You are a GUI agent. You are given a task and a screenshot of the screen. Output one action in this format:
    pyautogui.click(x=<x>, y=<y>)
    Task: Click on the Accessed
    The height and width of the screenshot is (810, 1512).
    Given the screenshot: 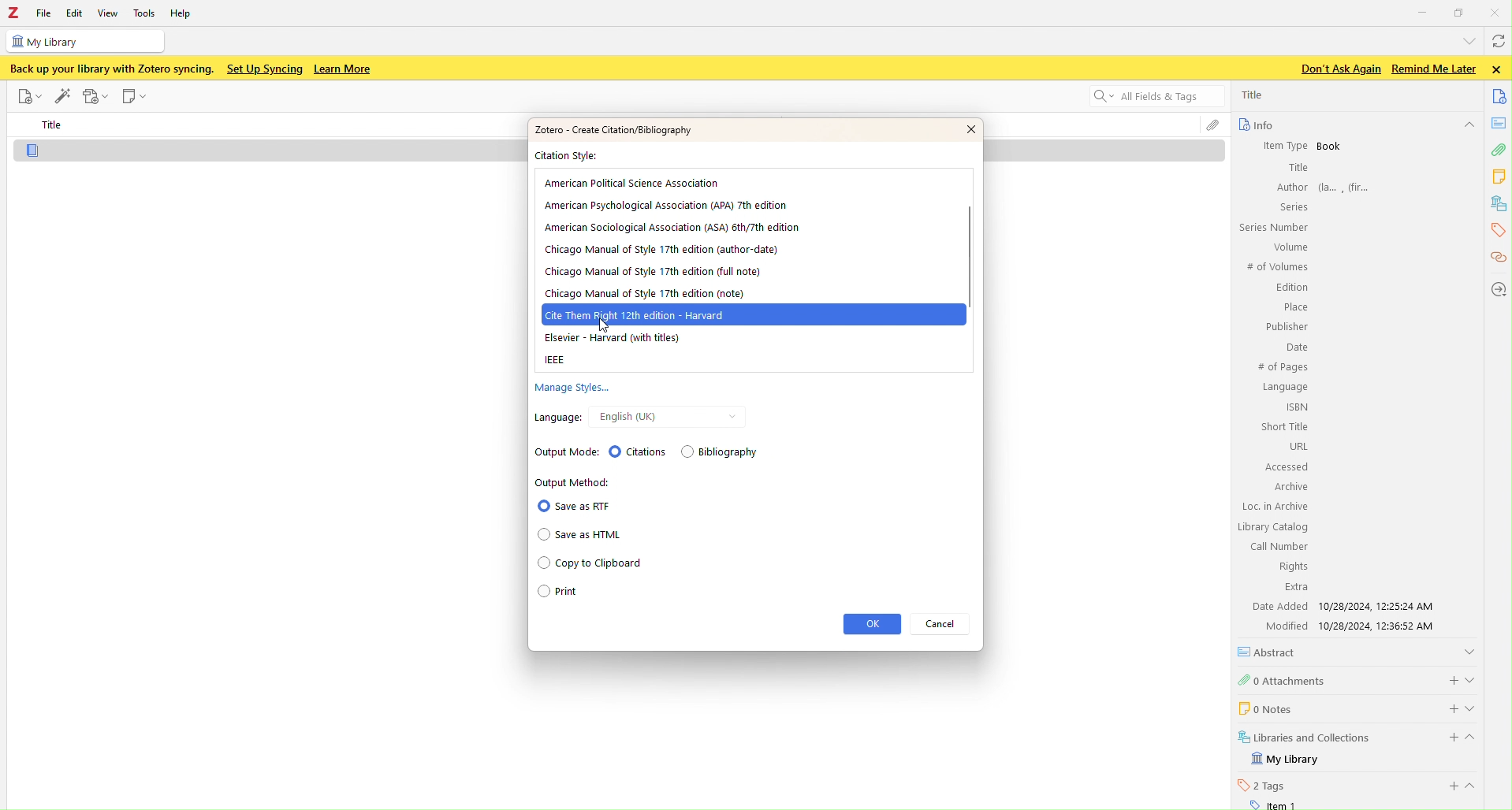 What is the action you would take?
    pyautogui.click(x=1286, y=467)
    